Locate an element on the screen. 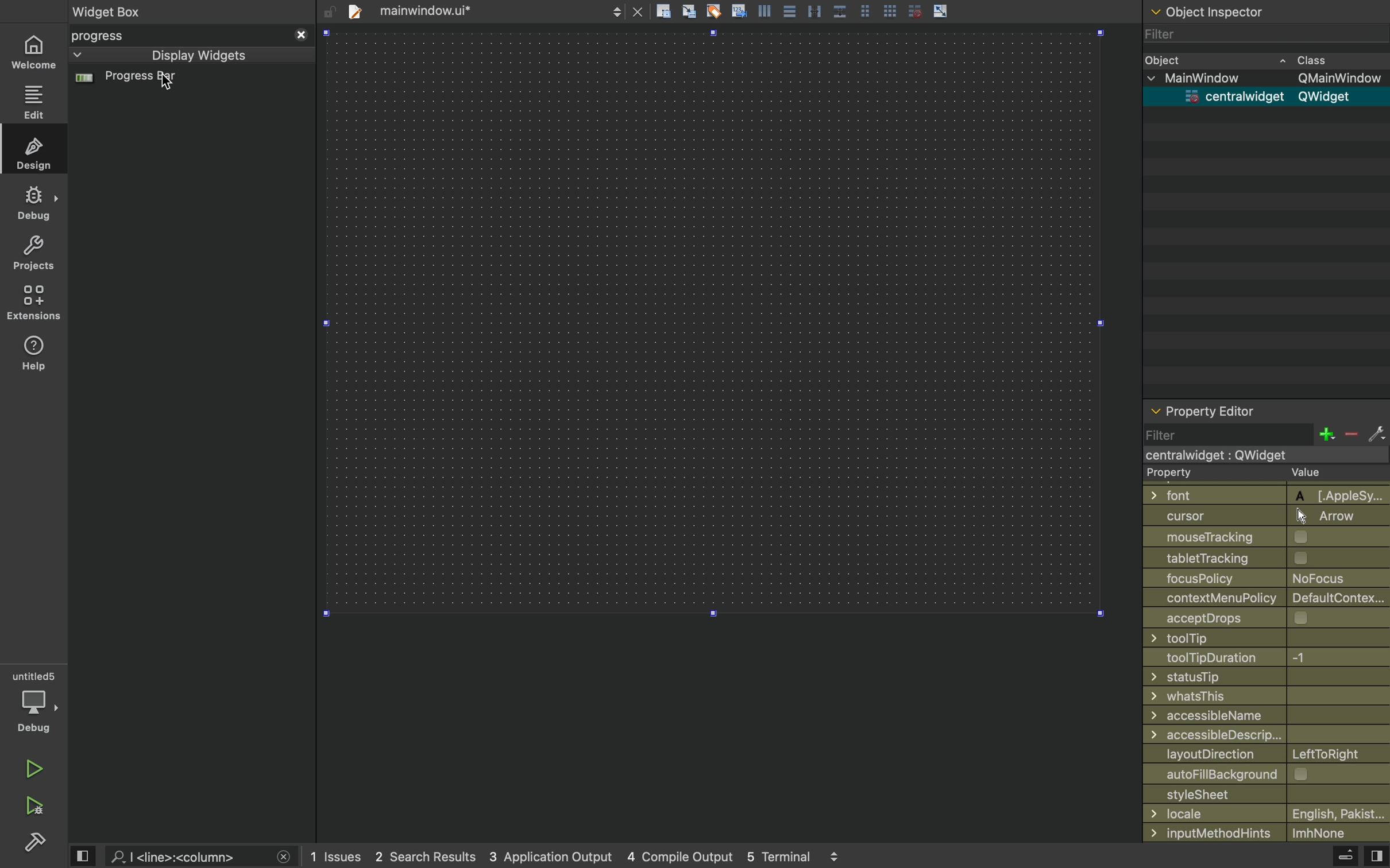  display widget is located at coordinates (176, 55).